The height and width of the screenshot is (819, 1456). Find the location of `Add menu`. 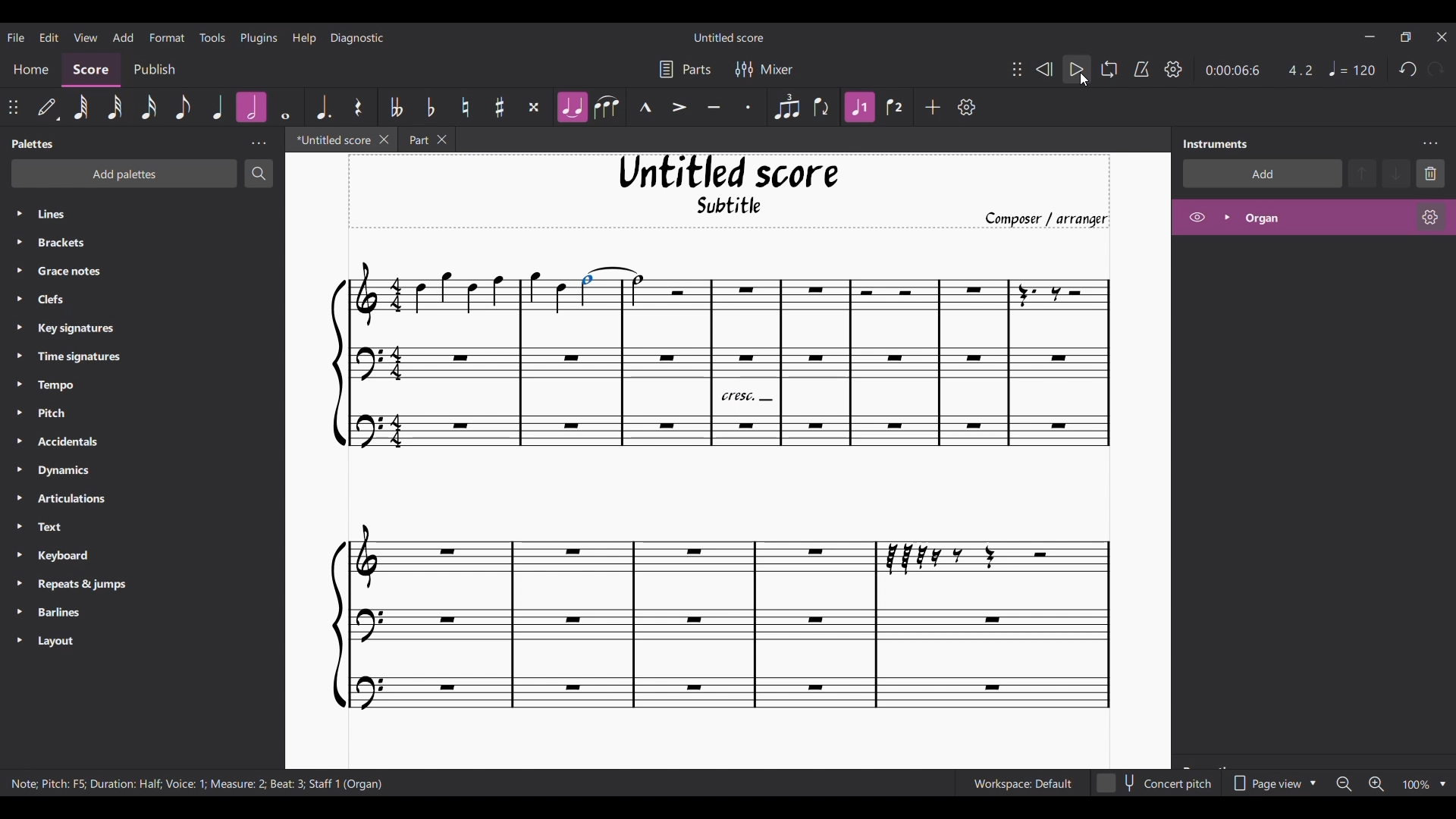

Add menu is located at coordinates (124, 37).